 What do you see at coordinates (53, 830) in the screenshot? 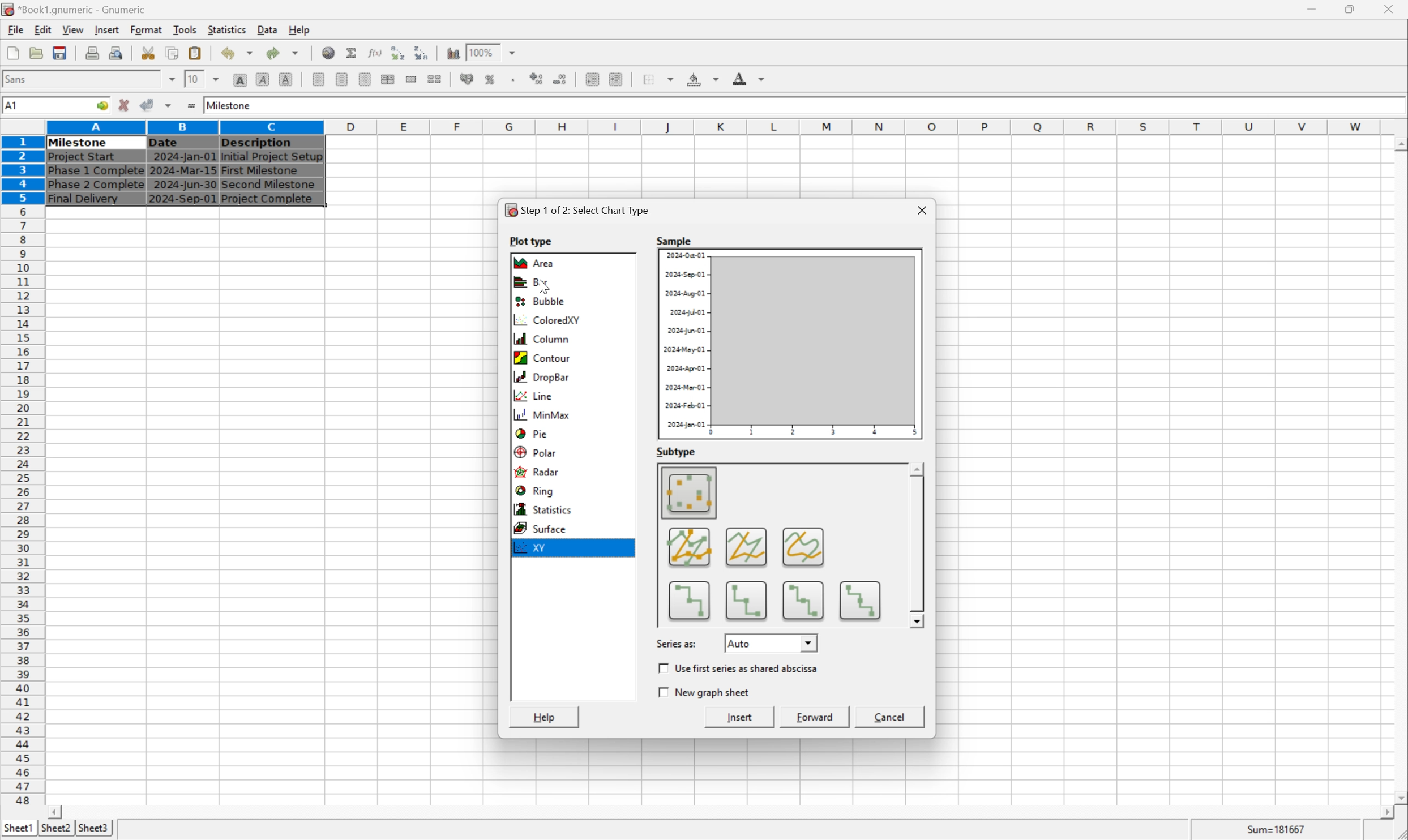
I see `sheet2` at bounding box center [53, 830].